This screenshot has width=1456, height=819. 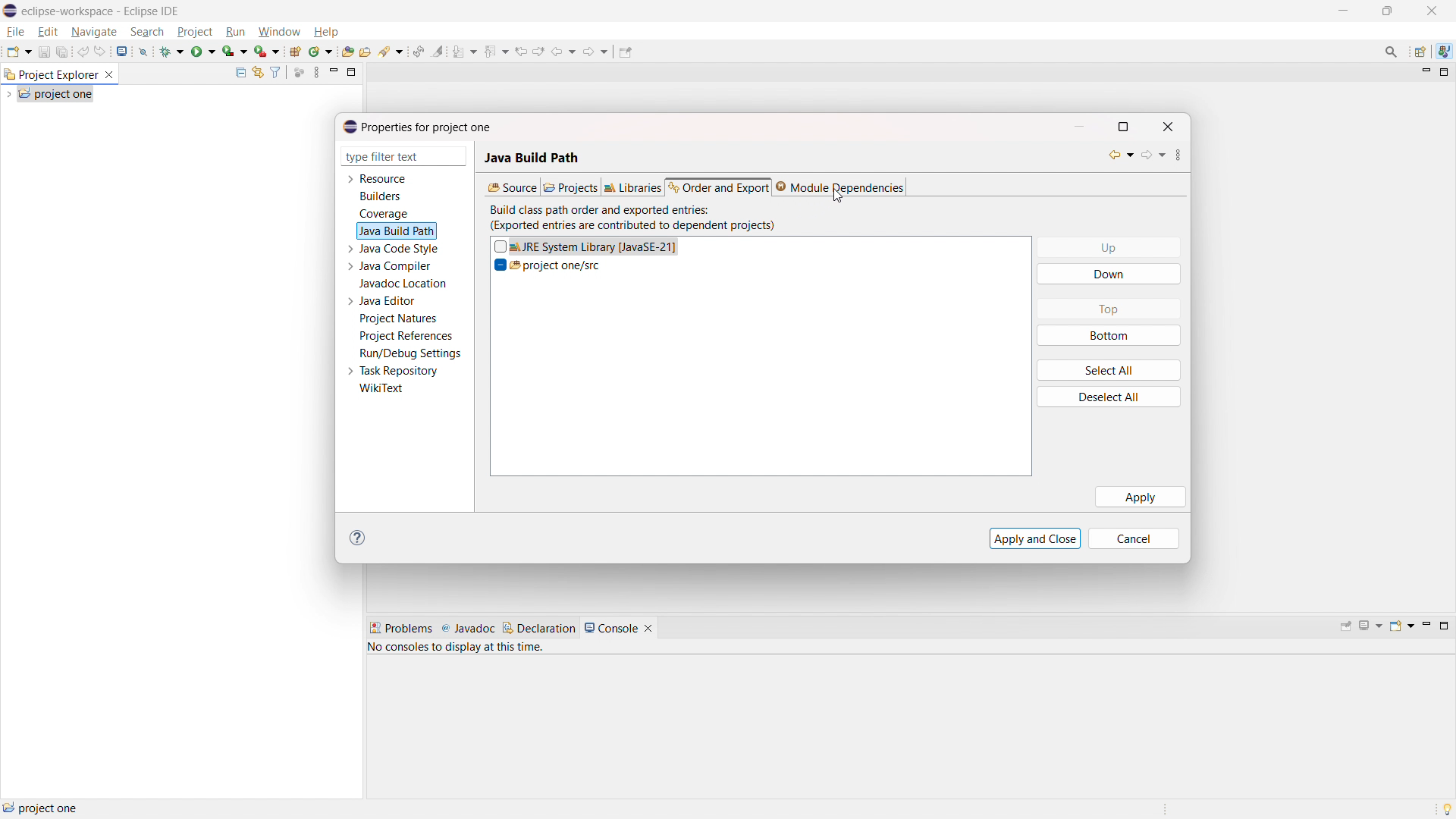 I want to click on eclipse-workspace - Eclipse IDE, so click(x=101, y=11).